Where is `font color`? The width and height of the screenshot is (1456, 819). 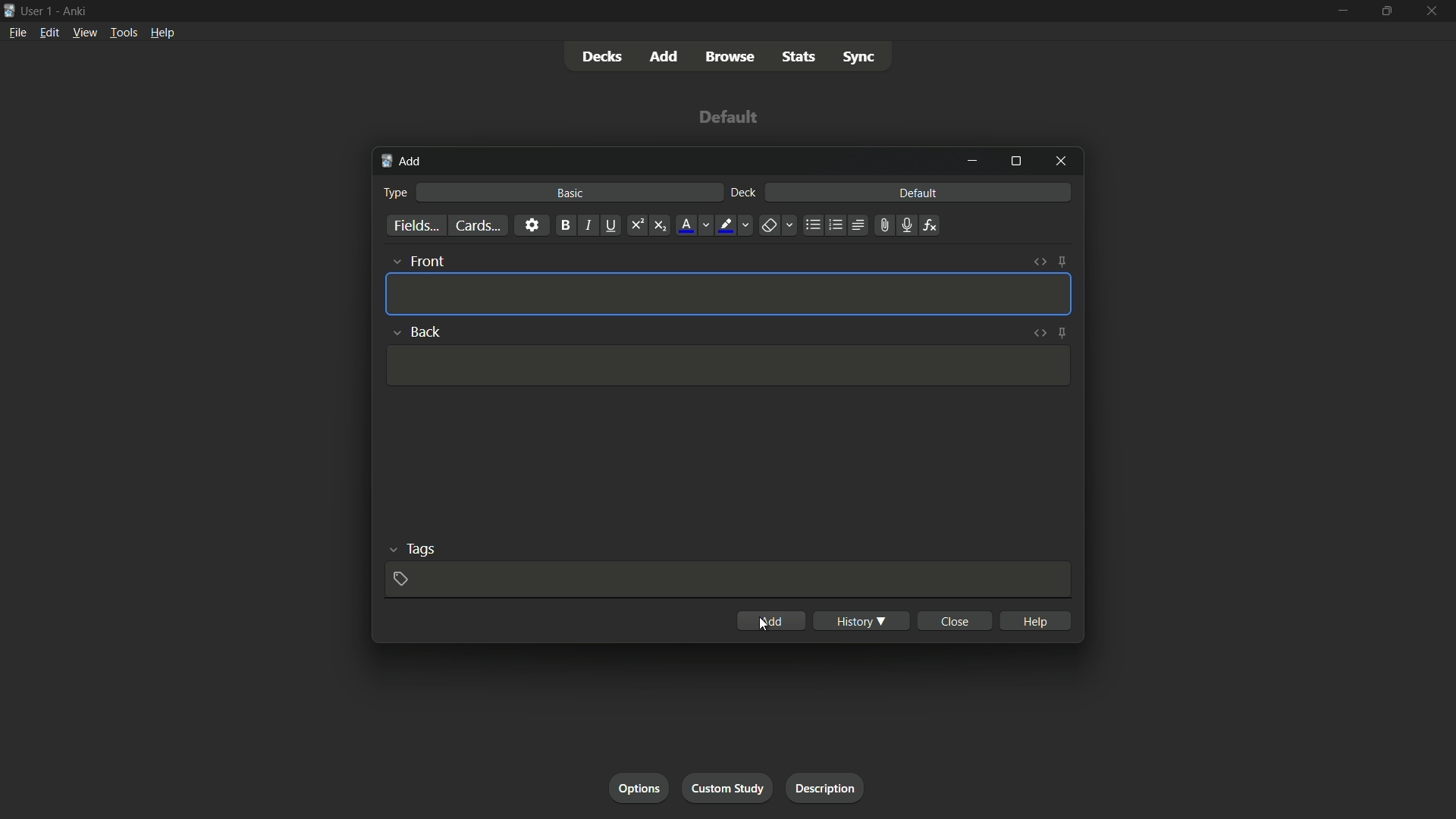
font color is located at coordinates (693, 225).